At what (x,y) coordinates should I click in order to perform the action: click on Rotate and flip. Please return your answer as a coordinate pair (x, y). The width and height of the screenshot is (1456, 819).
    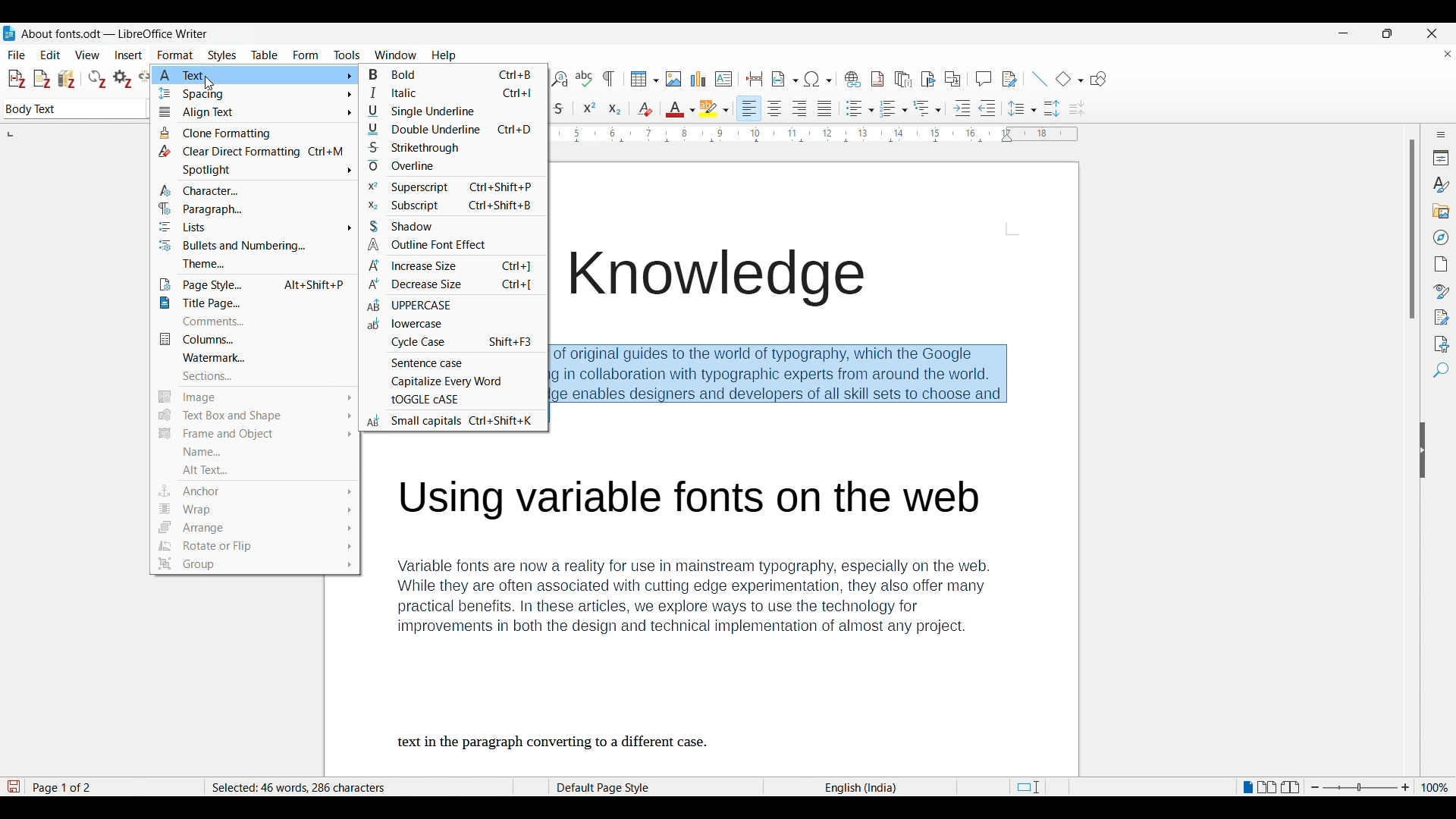
    Looking at the image, I should click on (255, 548).